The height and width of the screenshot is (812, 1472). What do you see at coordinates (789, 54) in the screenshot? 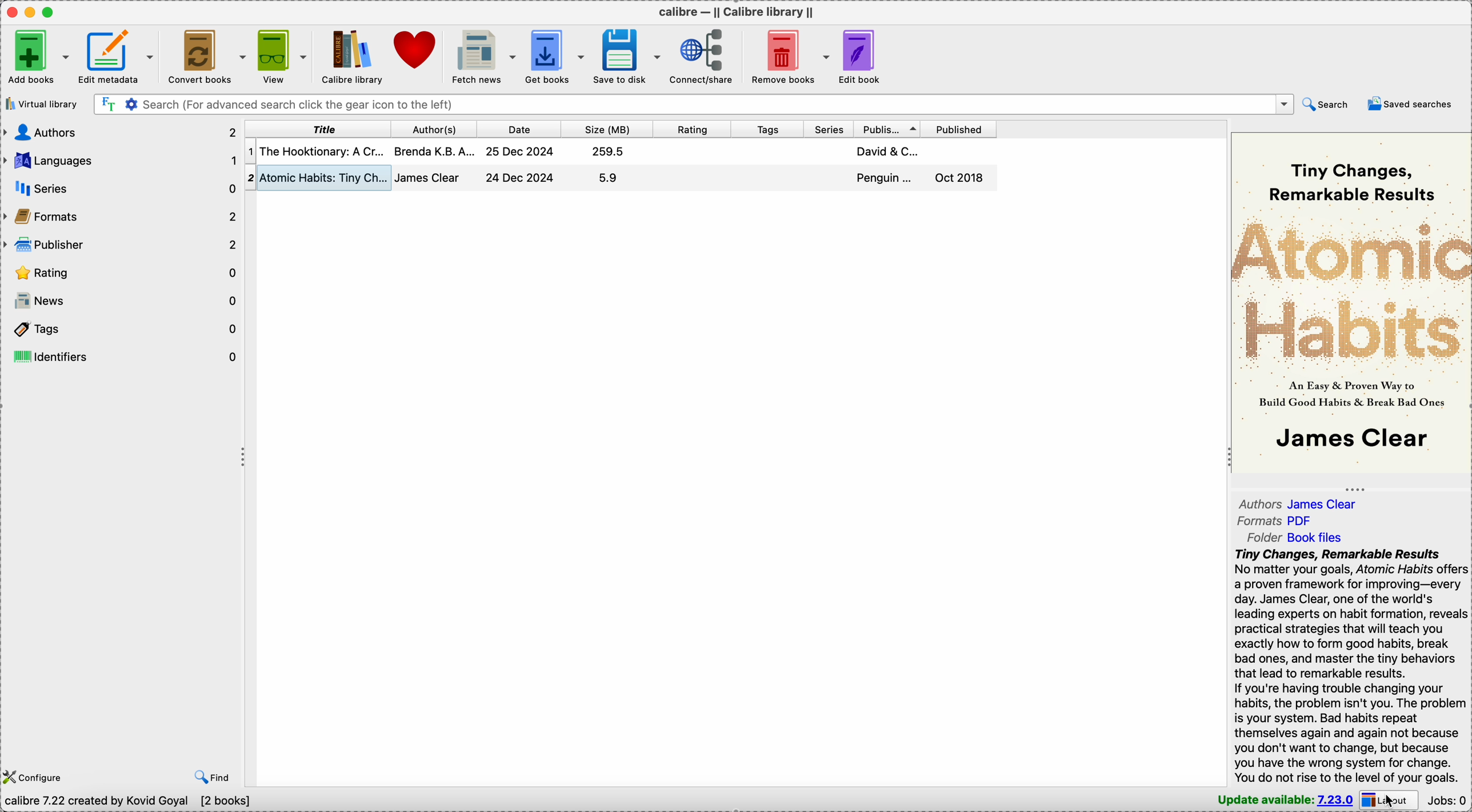
I see `remove books` at bounding box center [789, 54].